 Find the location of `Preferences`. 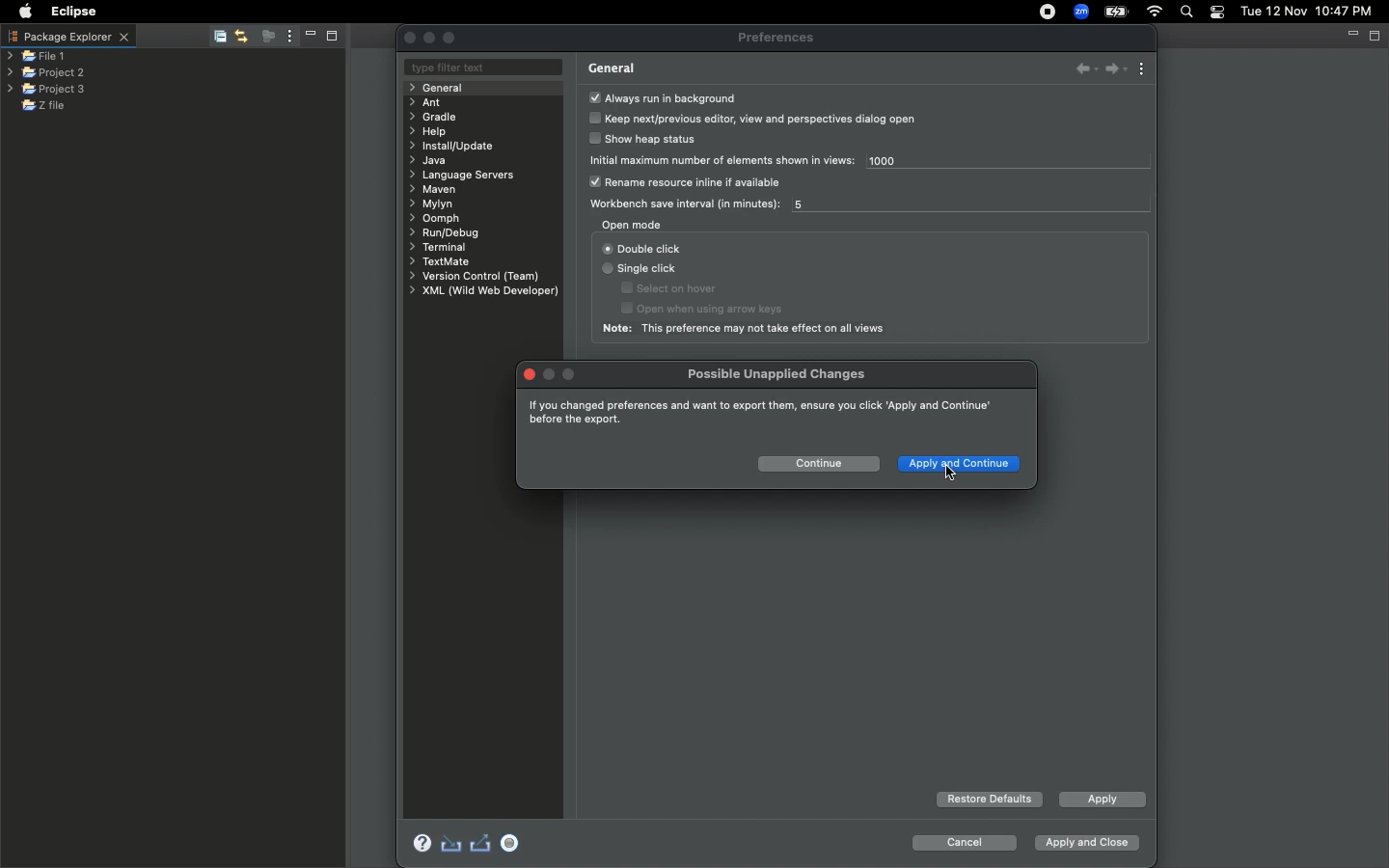

Preferences is located at coordinates (777, 39).